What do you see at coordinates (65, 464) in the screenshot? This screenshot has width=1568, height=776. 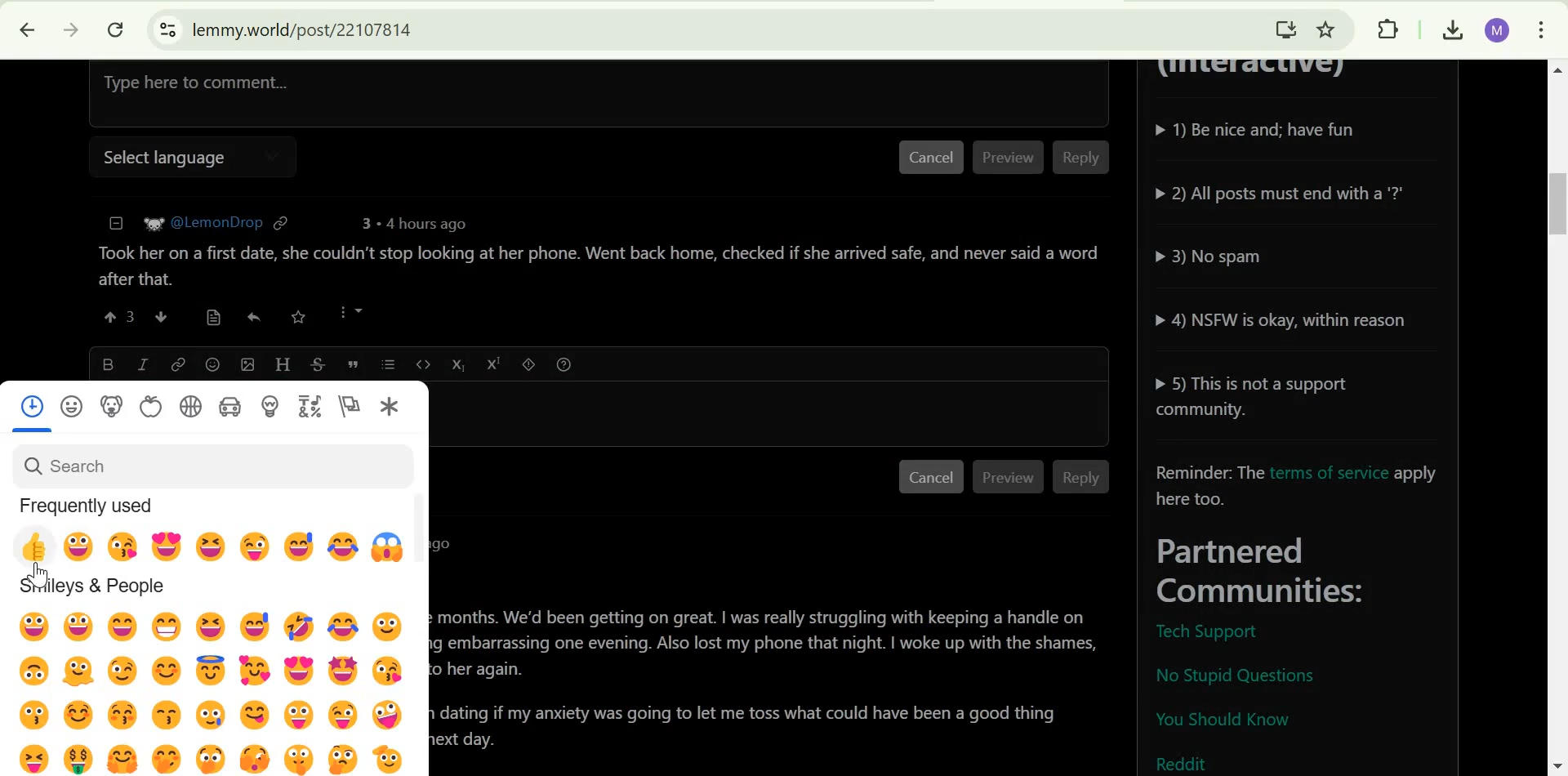 I see `Search` at bounding box center [65, 464].